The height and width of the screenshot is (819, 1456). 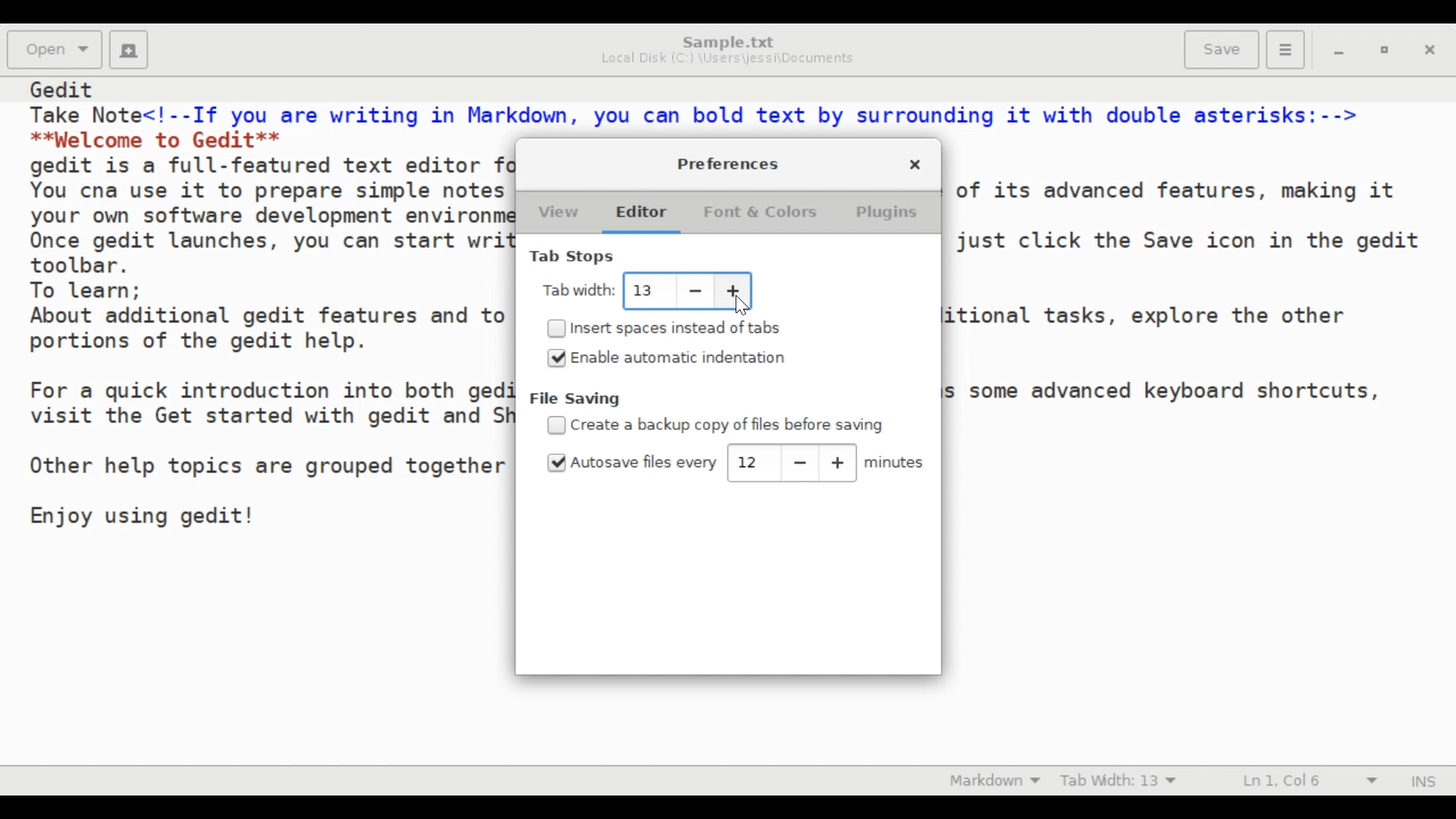 What do you see at coordinates (130, 50) in the screenshot?
I see `Create a new document` at bounding box center [130, 50].